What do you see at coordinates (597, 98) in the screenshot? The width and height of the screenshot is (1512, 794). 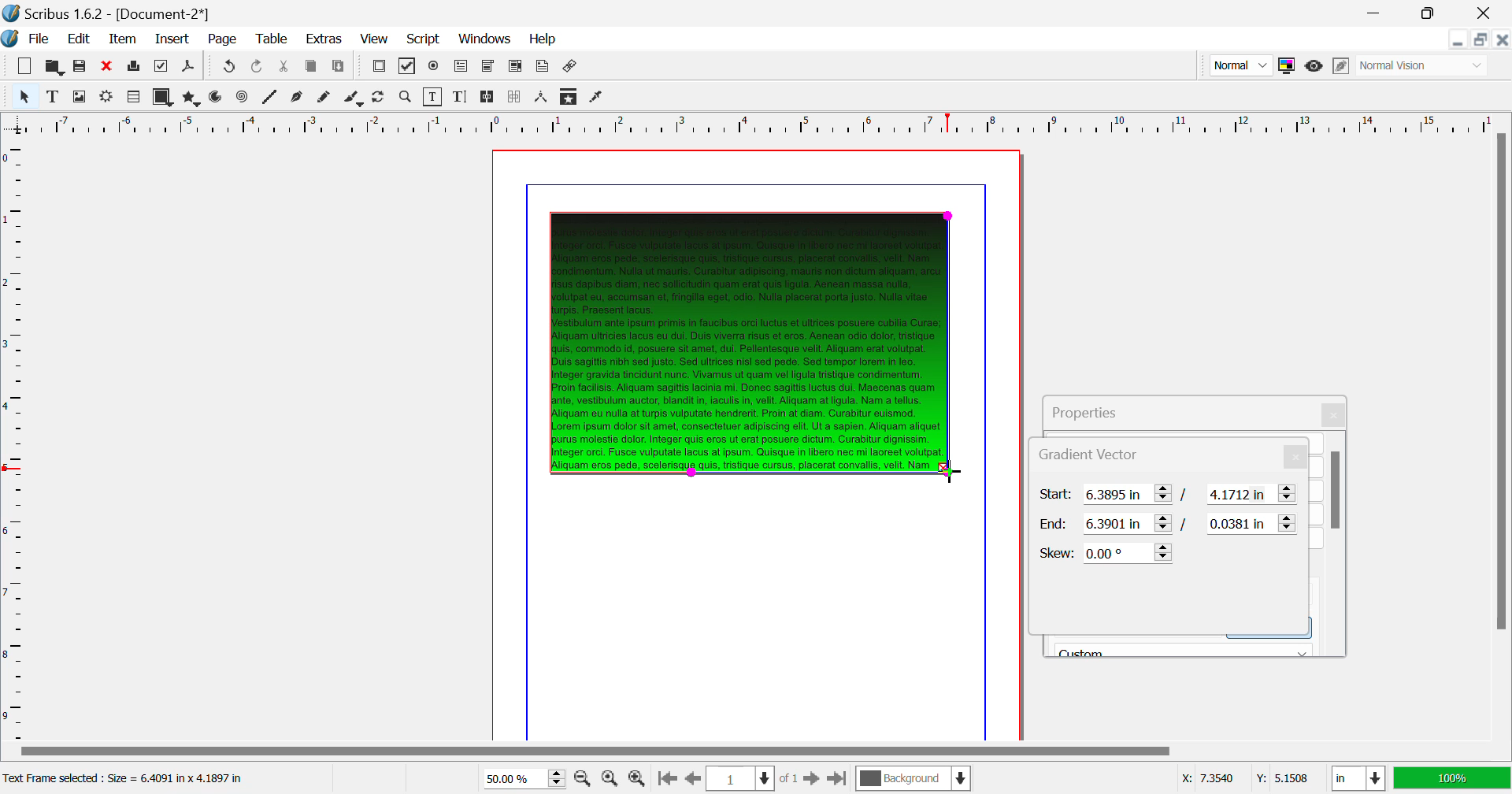 I see `Eyedropper` at bounding box center [597, 98].